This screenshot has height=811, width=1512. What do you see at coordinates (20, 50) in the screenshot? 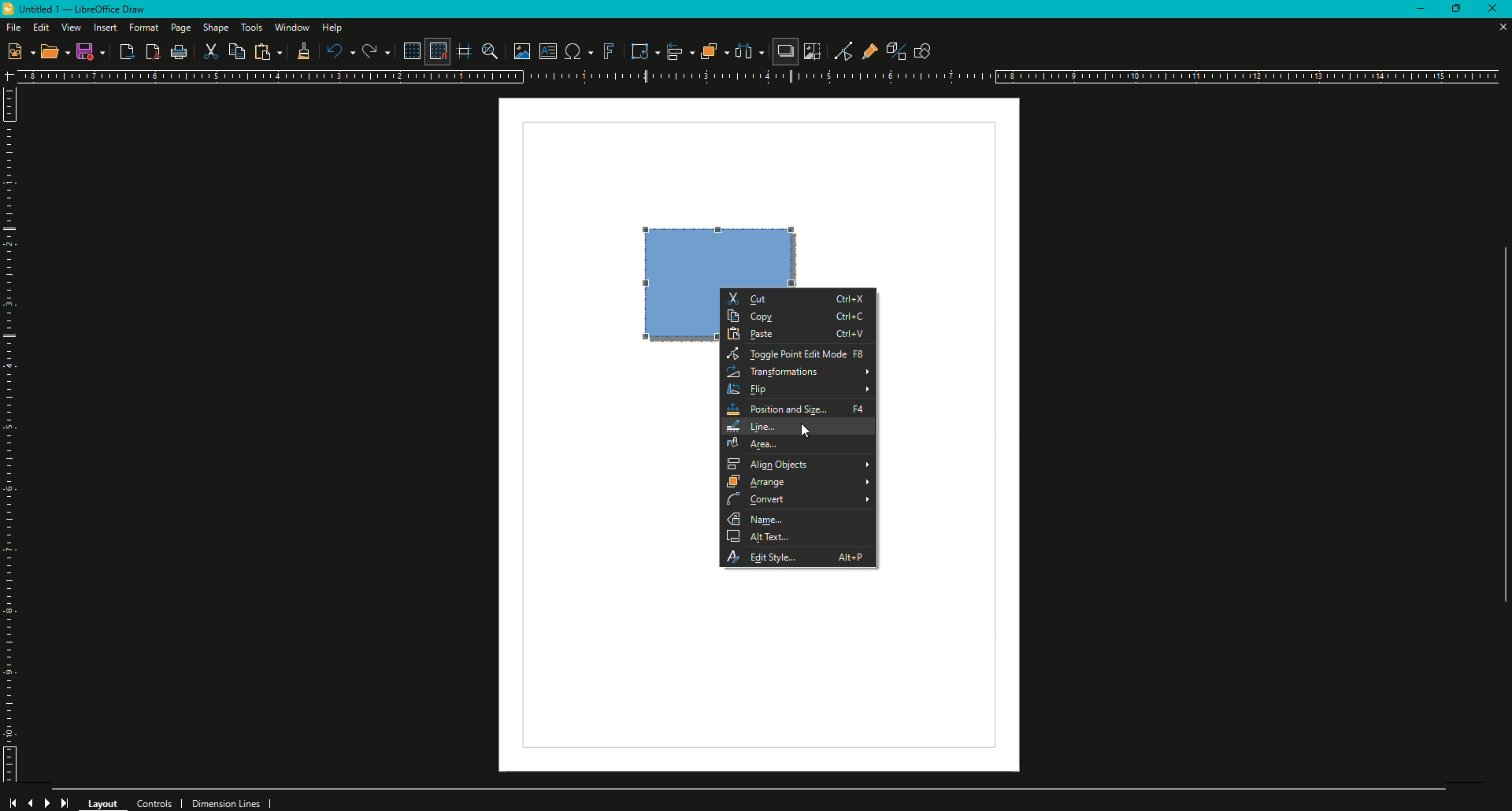
I see `New` at bounding box center [20, 50].